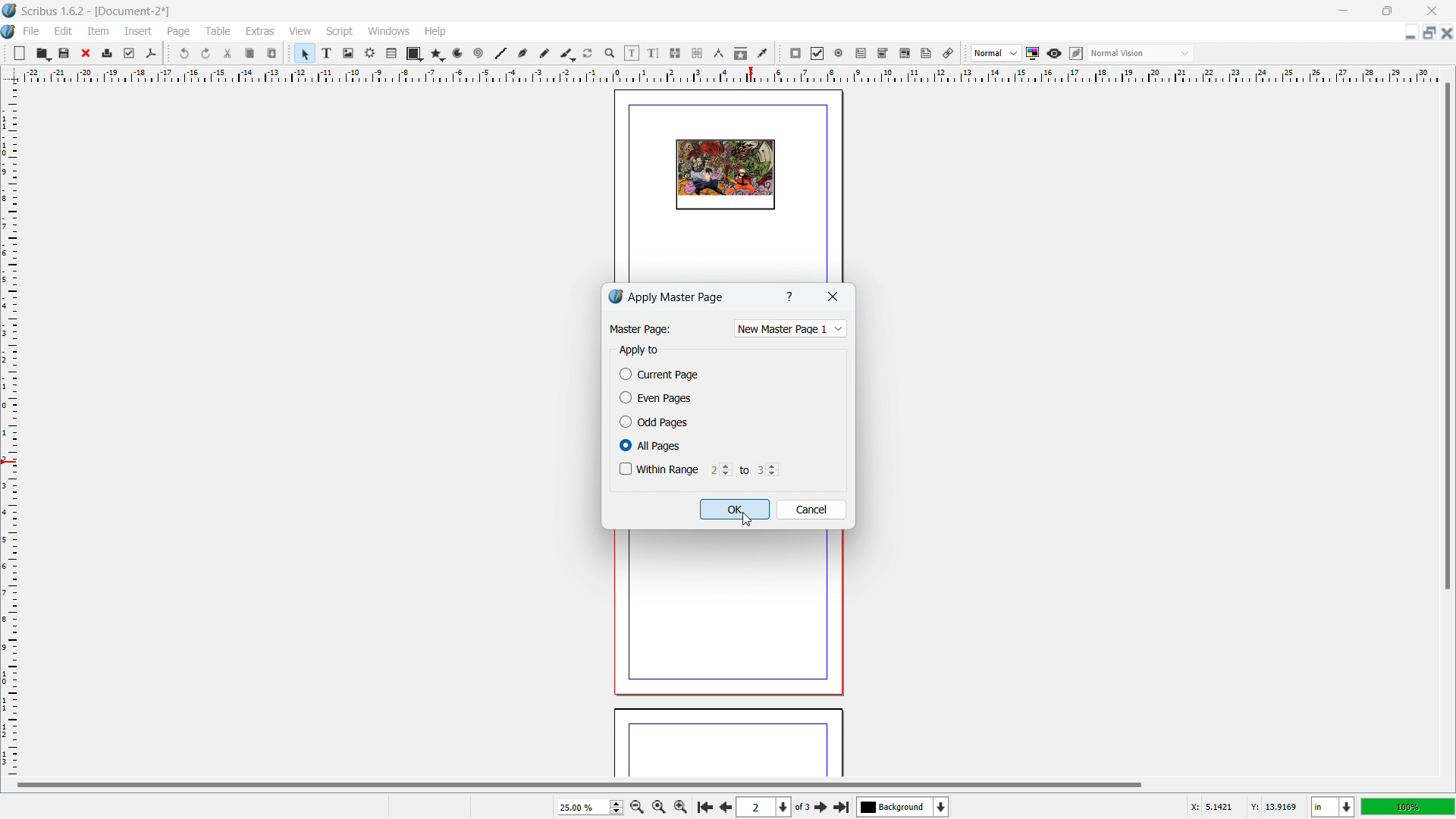 Image resolution: width=1456 pixels, height=819 pixels. I want to click on zoom level, so click(590, 807).